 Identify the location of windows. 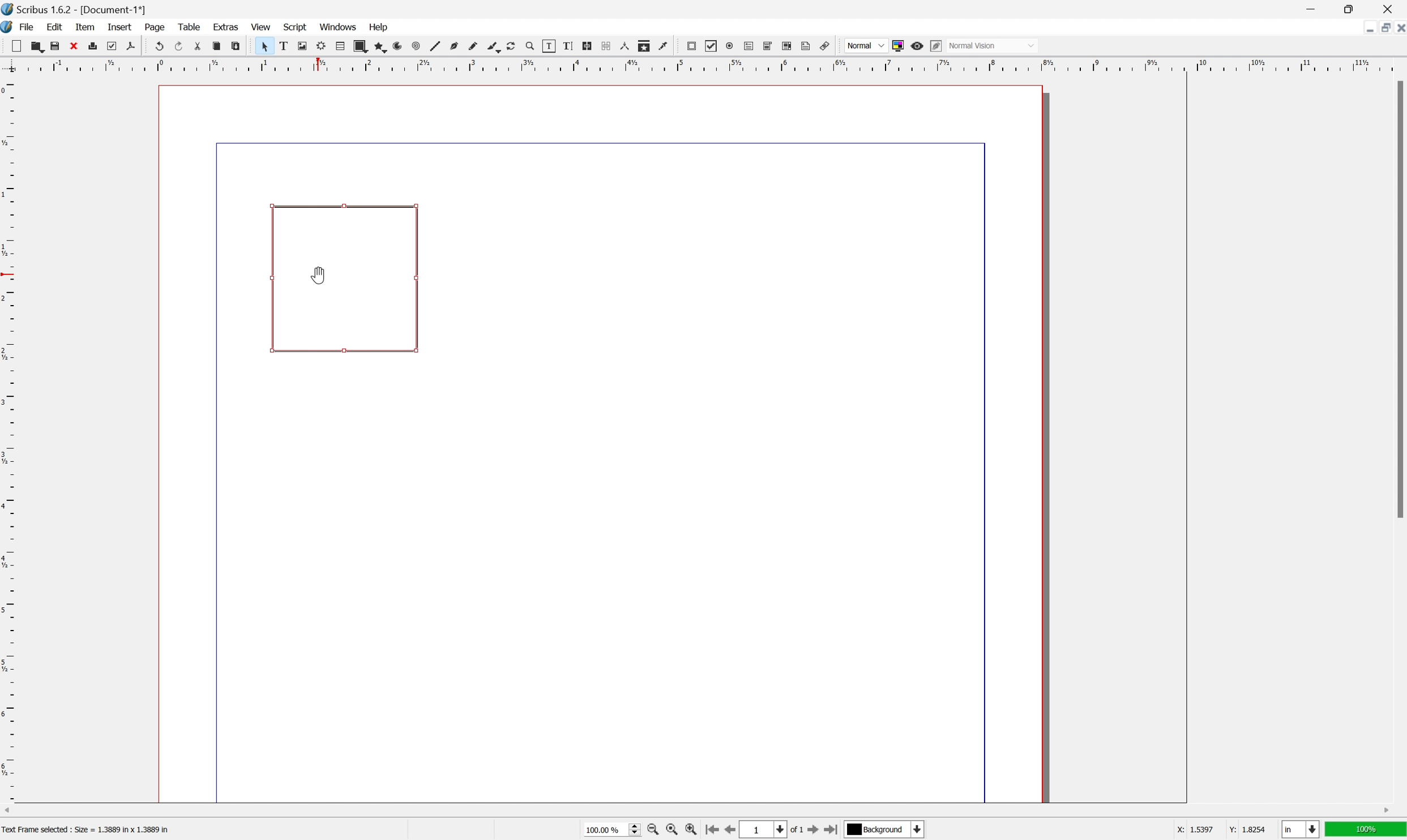
(339, 27).